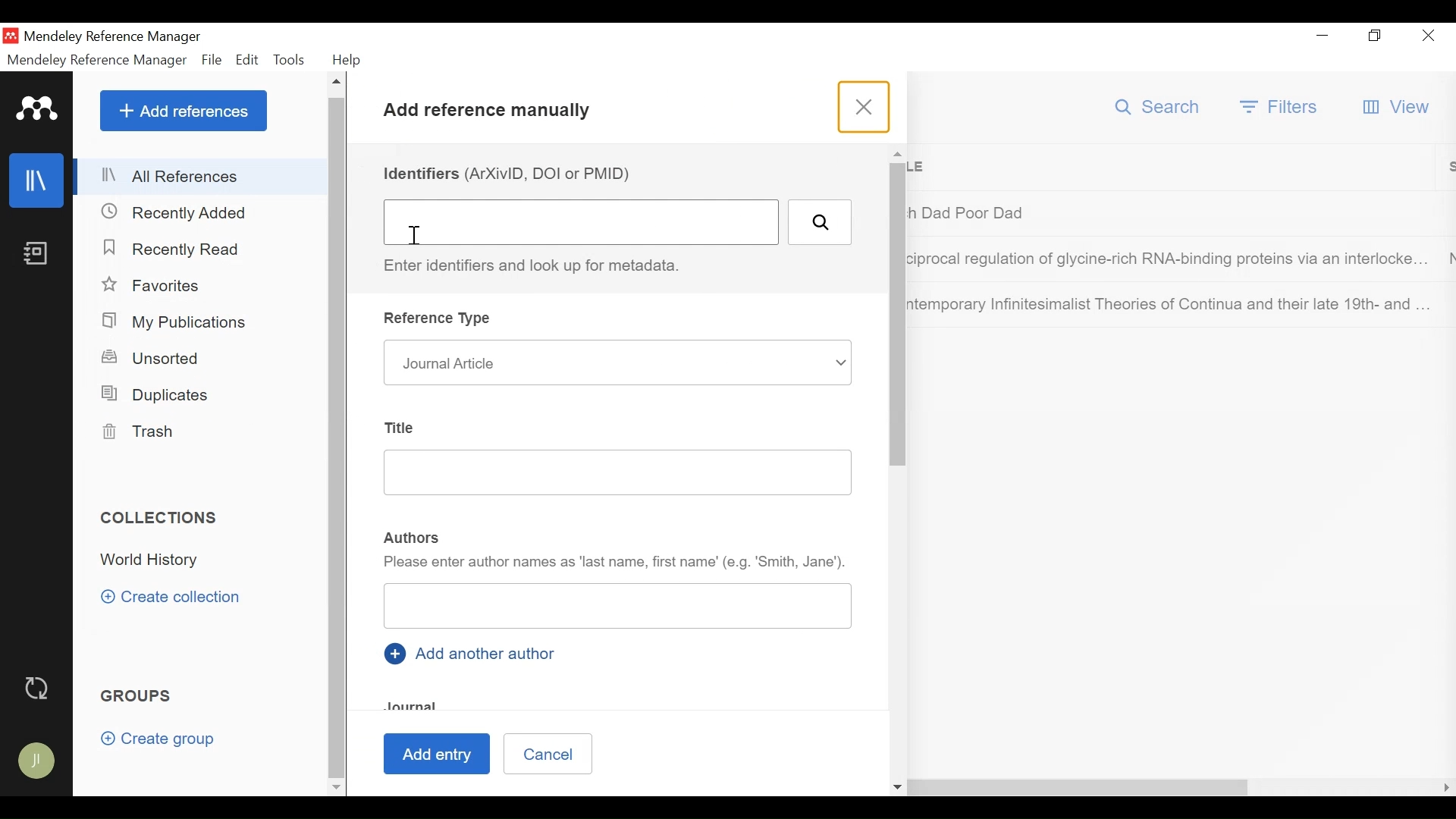 The image size is (1456, 819). Describe the element at coordinates (158, 739) in the screenshot. I see `Create group` at that location.